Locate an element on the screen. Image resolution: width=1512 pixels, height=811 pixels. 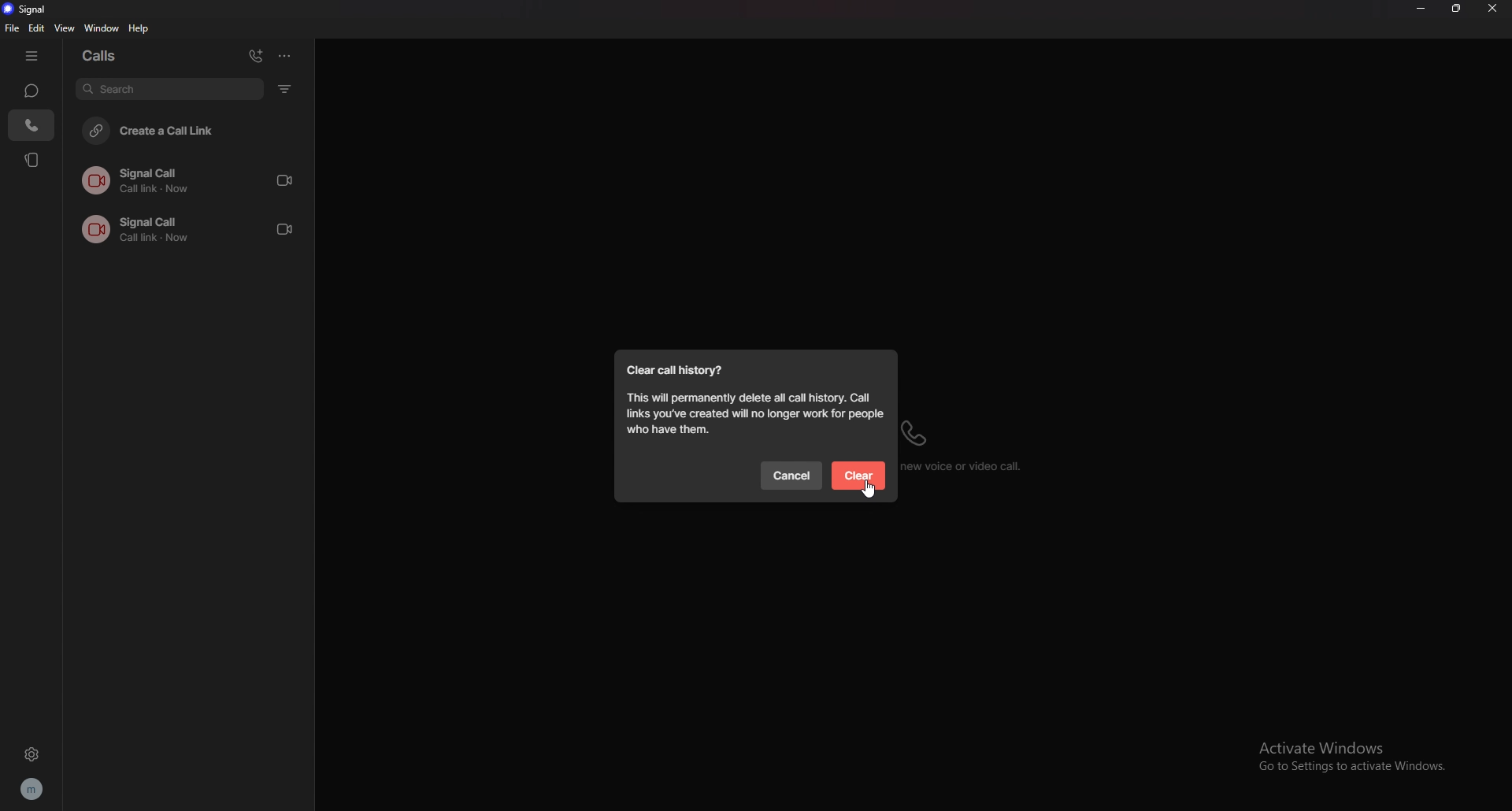
cursor is located at coordinates (869, 491).